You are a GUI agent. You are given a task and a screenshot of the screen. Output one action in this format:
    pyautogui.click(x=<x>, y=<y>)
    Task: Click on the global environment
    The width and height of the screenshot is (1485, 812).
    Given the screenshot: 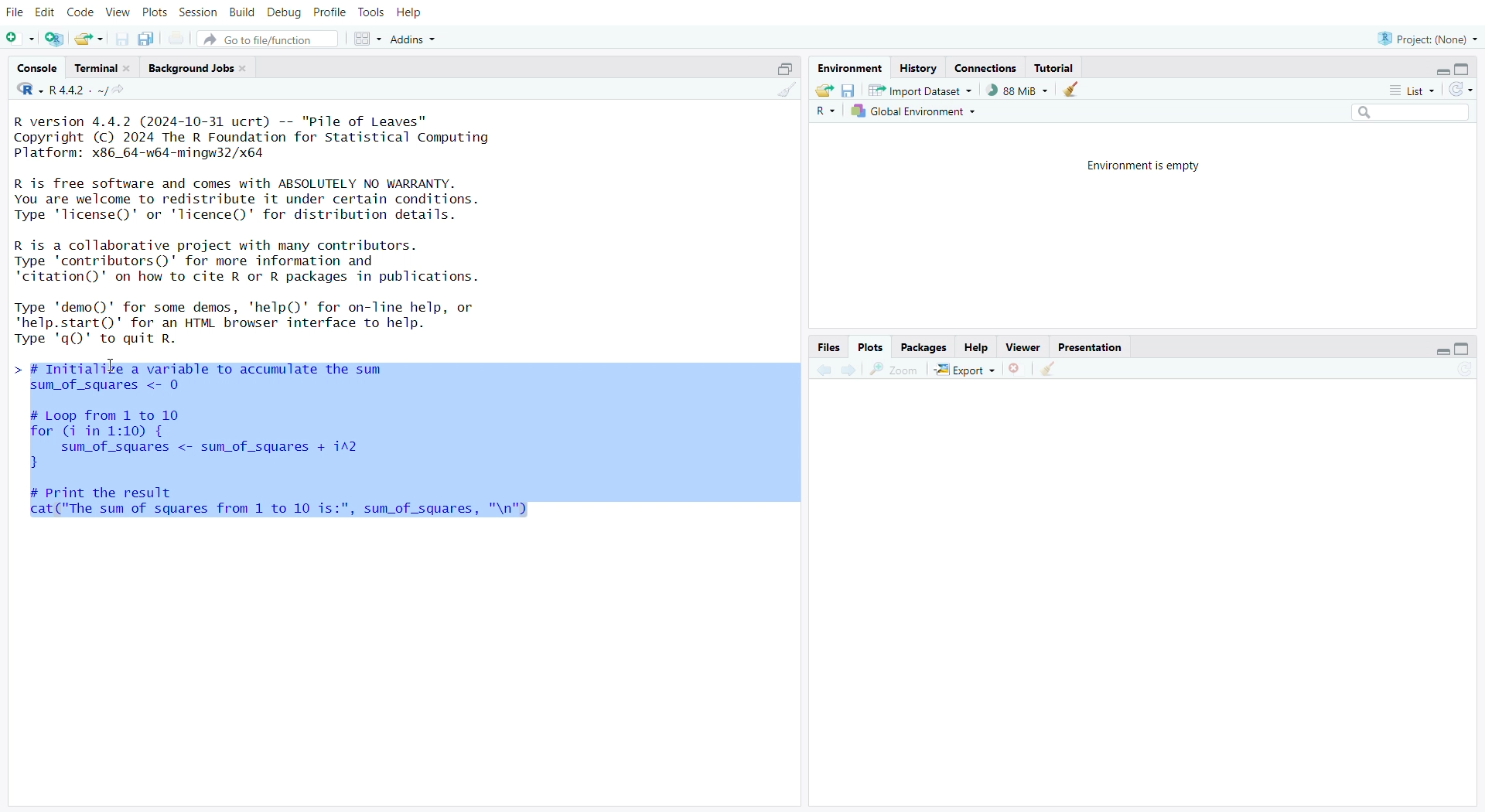 What is the action you would take?
    pyautogui.click(x=917, y=113)
    